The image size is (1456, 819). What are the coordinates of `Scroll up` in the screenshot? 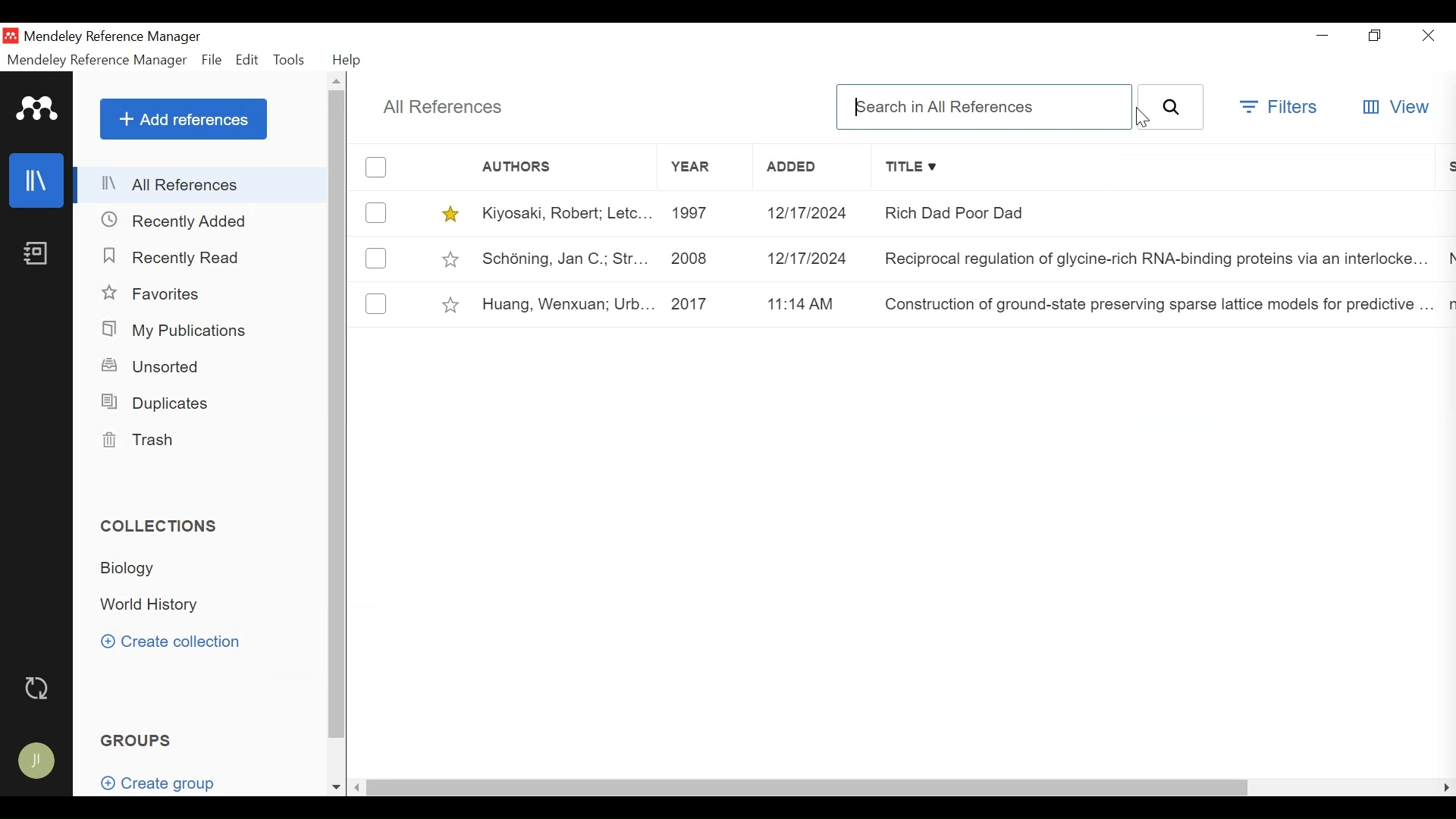 It's located at (338, 81).